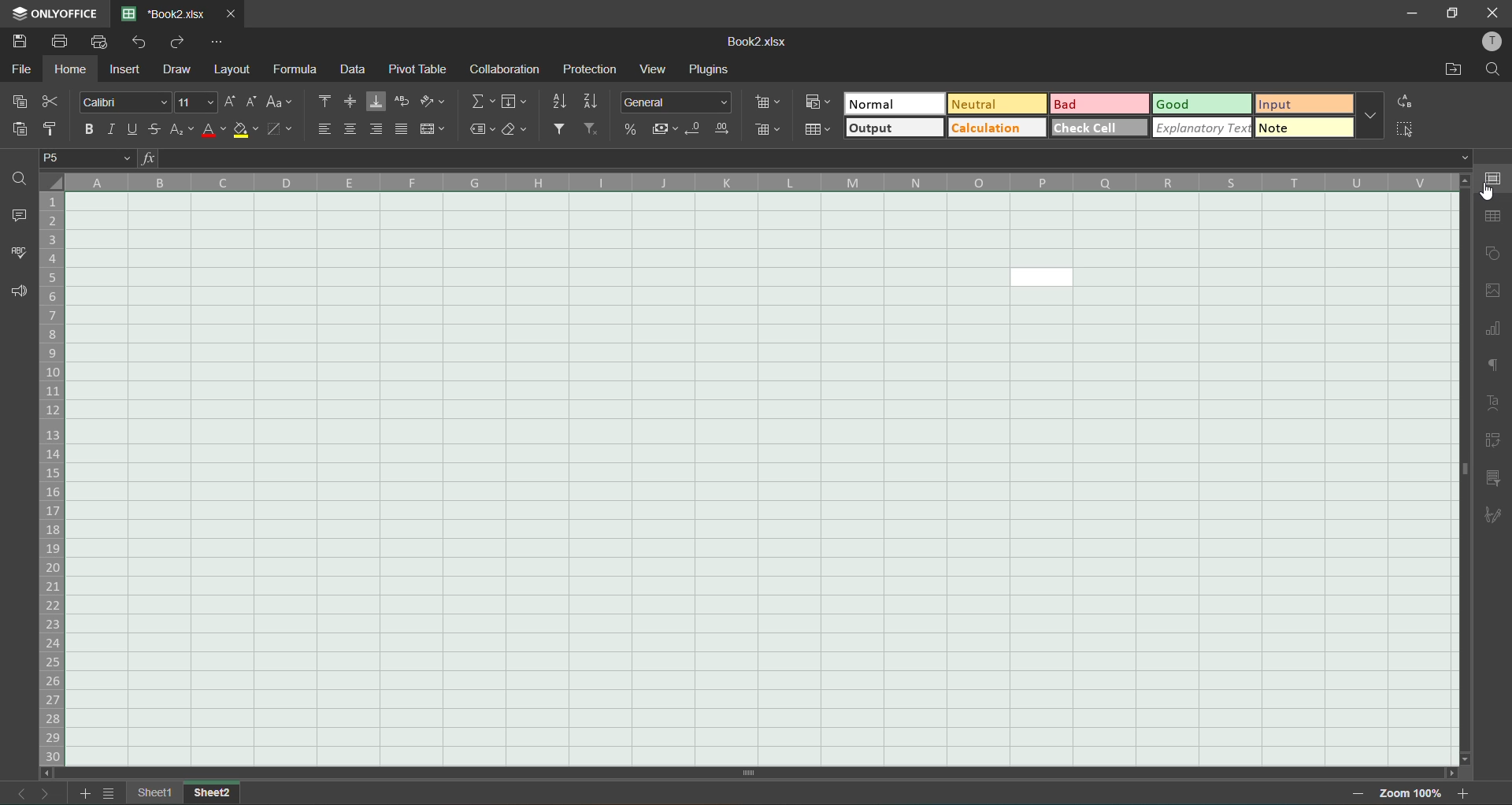  Describe the element at coordinates (18, 255) in the screenshot. I see `spellcheck` at that location.